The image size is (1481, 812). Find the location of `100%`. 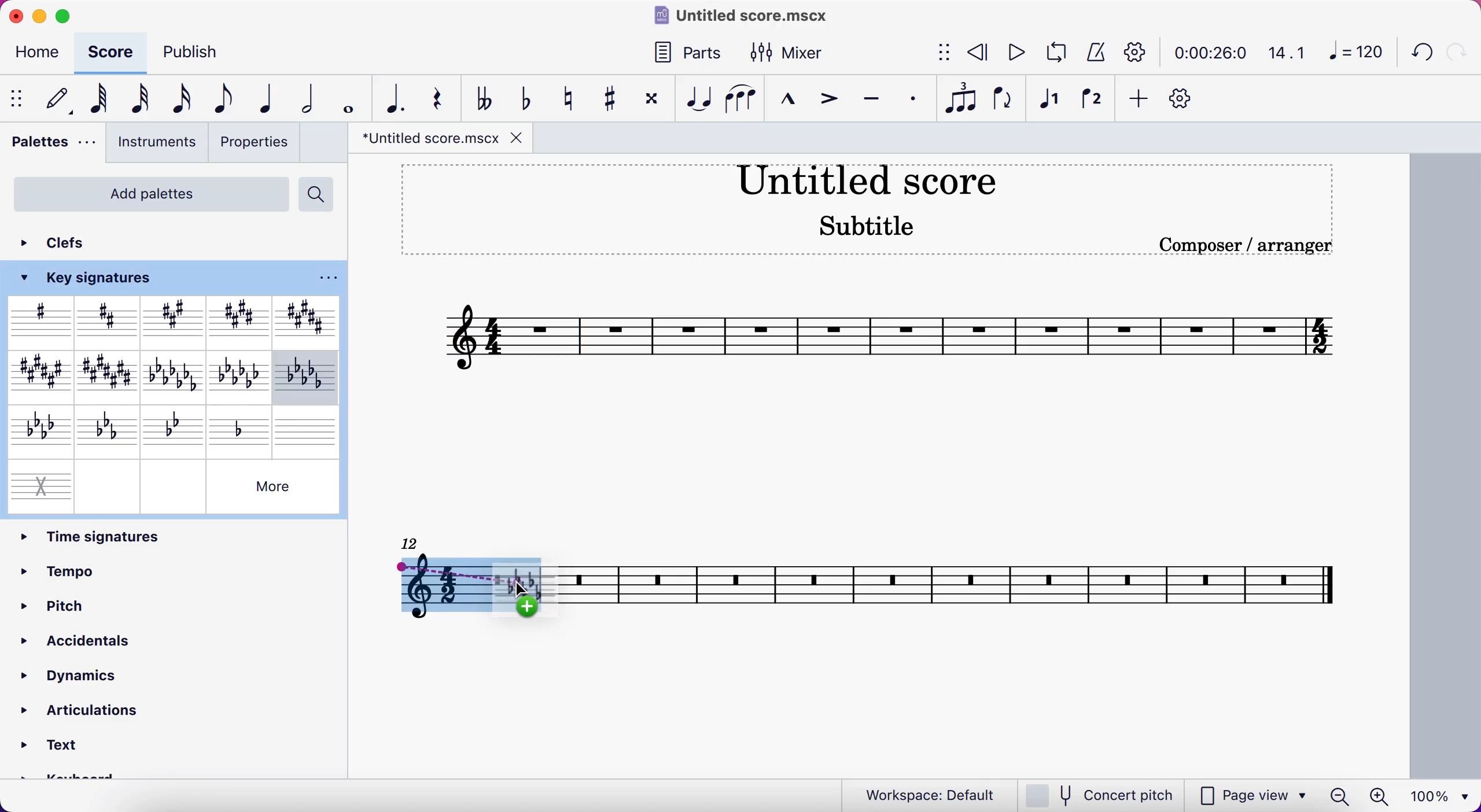

100% is located at coordinates (1442, 796).